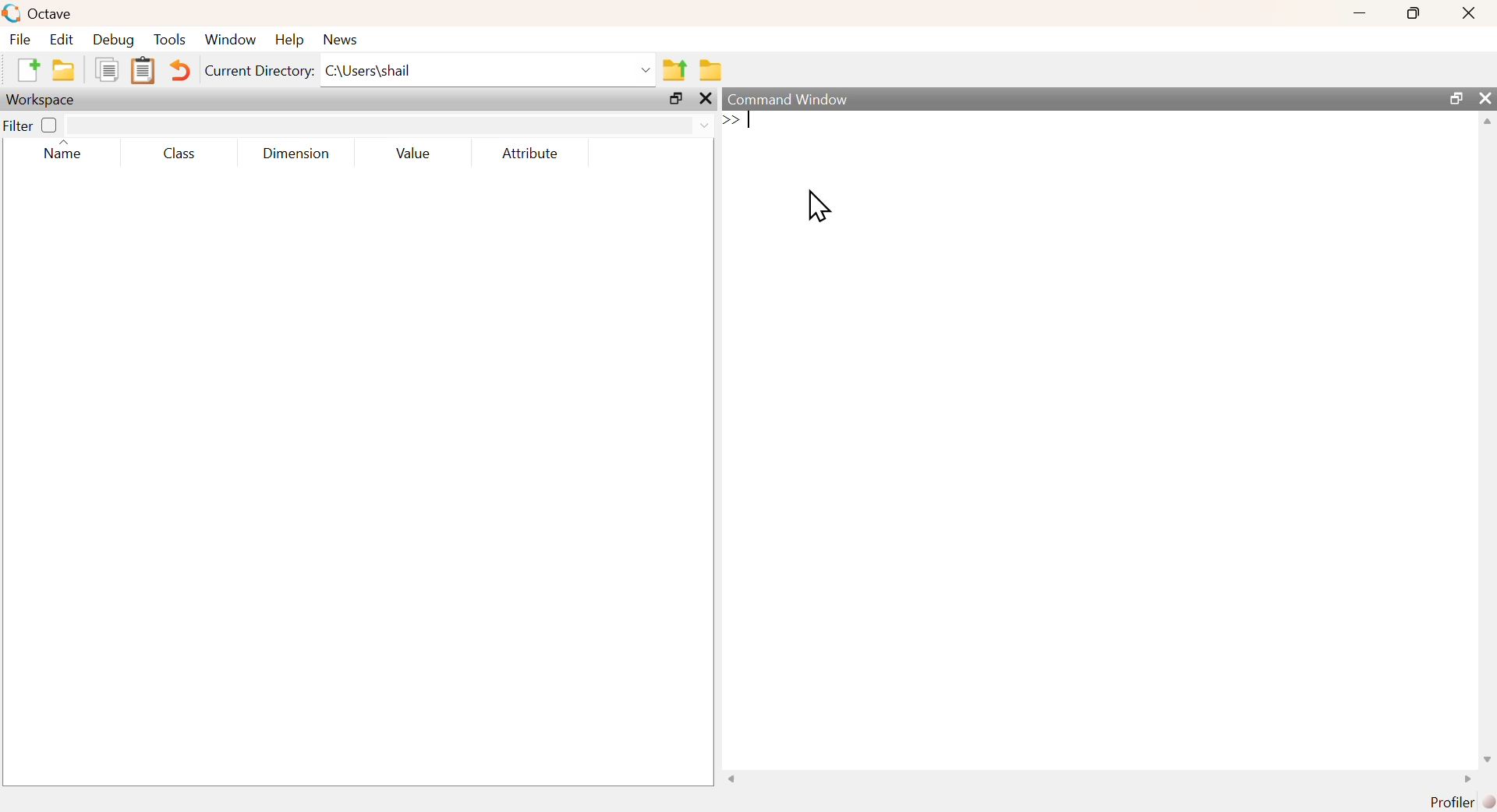 The width and height of the screenshot is (1497, 812). Describe the element at coordinates (787, 99) in the screenshot. I see `Command Window` at that location.